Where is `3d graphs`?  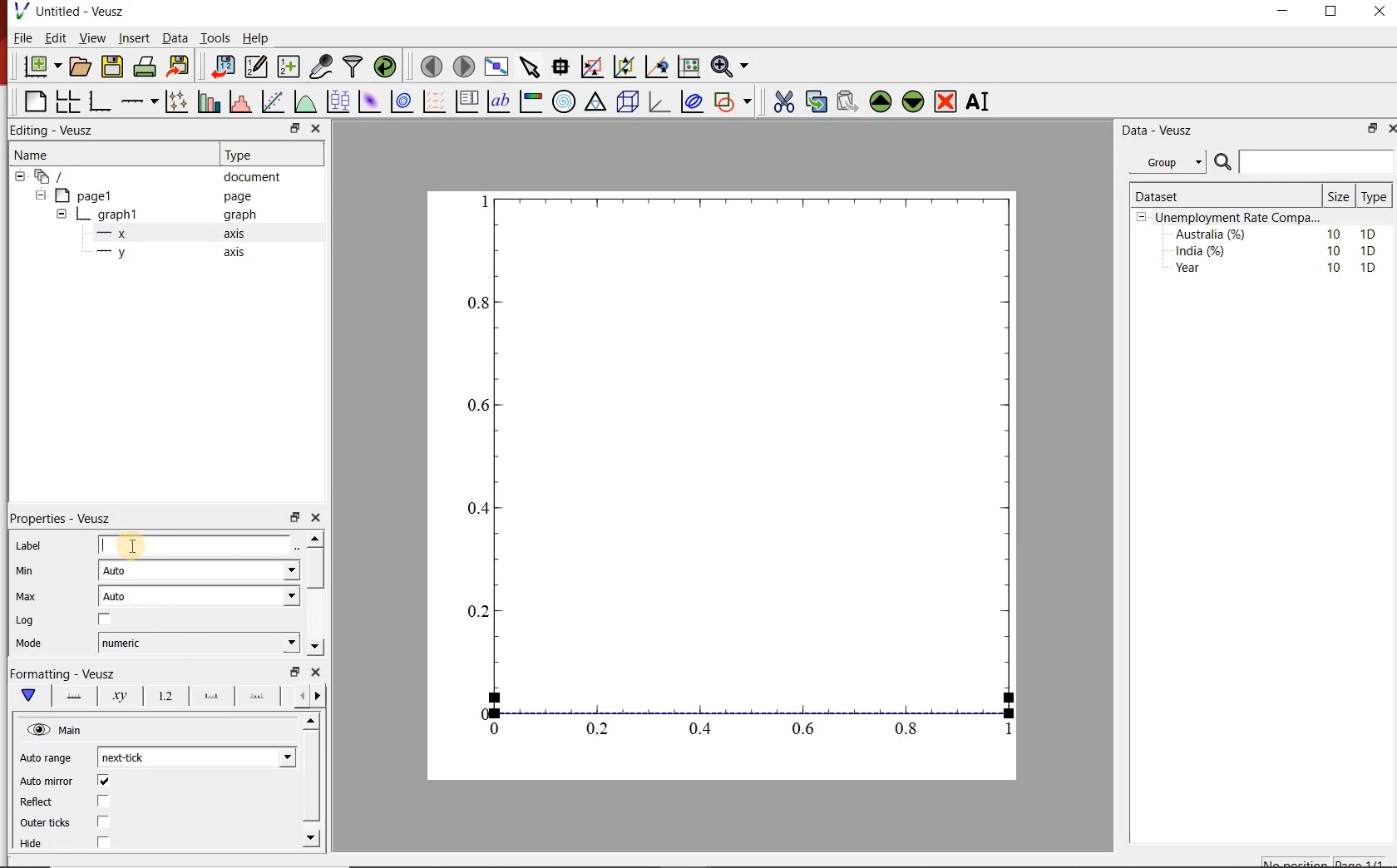 3d graphs is located at coordinates (659, 101).